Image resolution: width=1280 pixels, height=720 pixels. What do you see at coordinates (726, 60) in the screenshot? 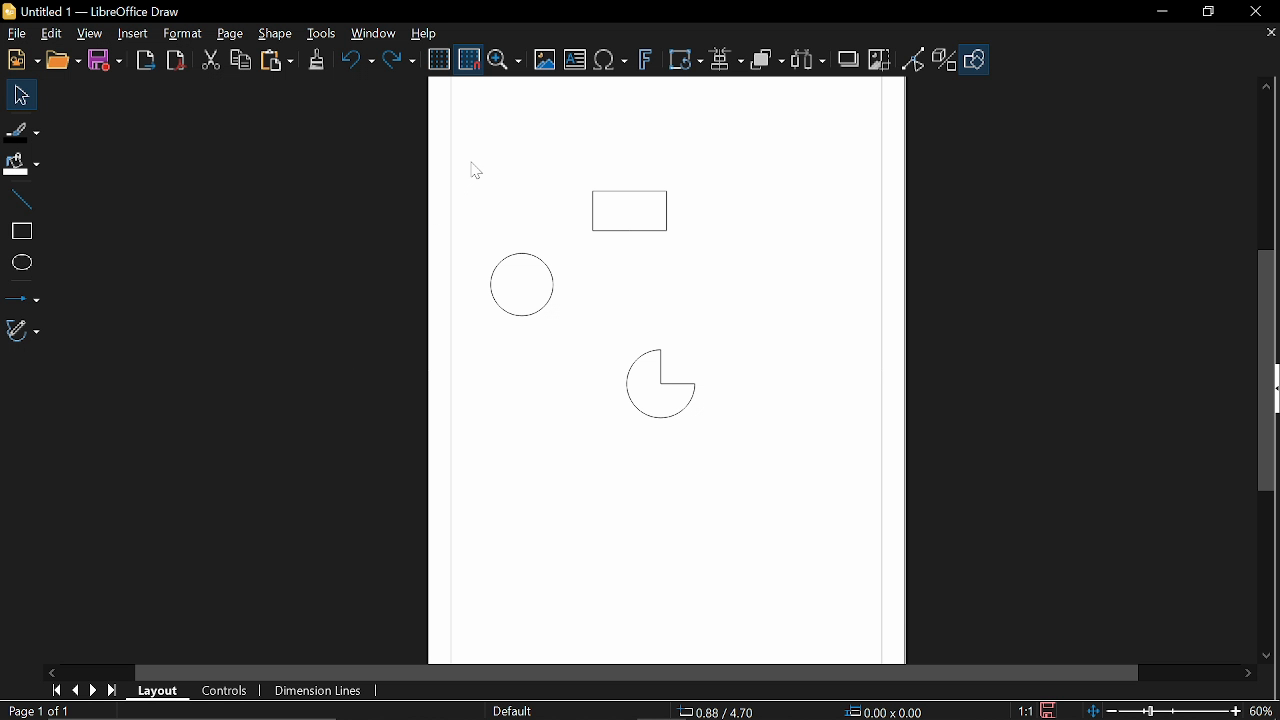
I see `Align` at bounding box center [726, 60].